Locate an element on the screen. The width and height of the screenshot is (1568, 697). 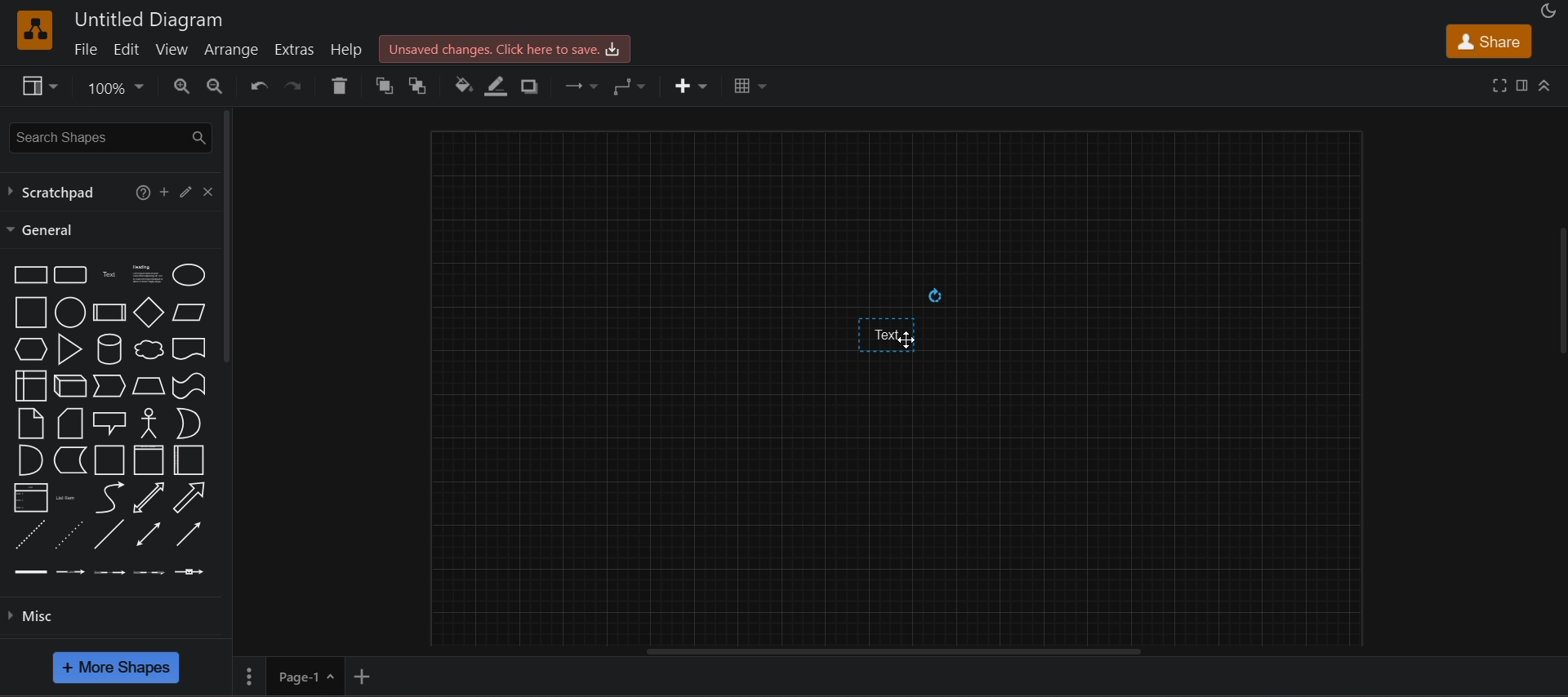
fill color is located at coordinates (462, 84).